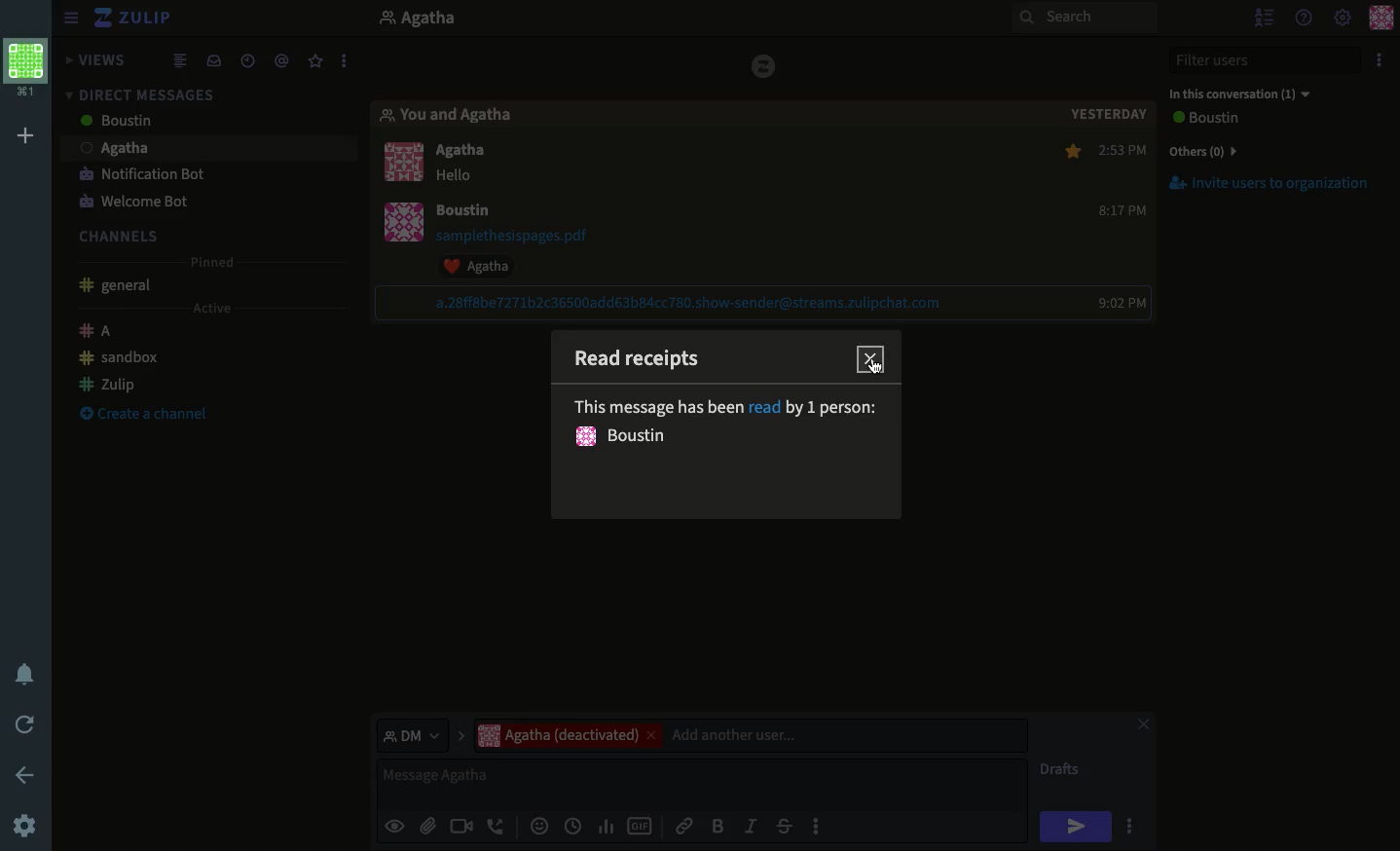 This screenshot has height=851, width=1400. What do you see at coordinates (316, 62) in the screenshot?
I see `Favorite` at bounding box center [316, 62].